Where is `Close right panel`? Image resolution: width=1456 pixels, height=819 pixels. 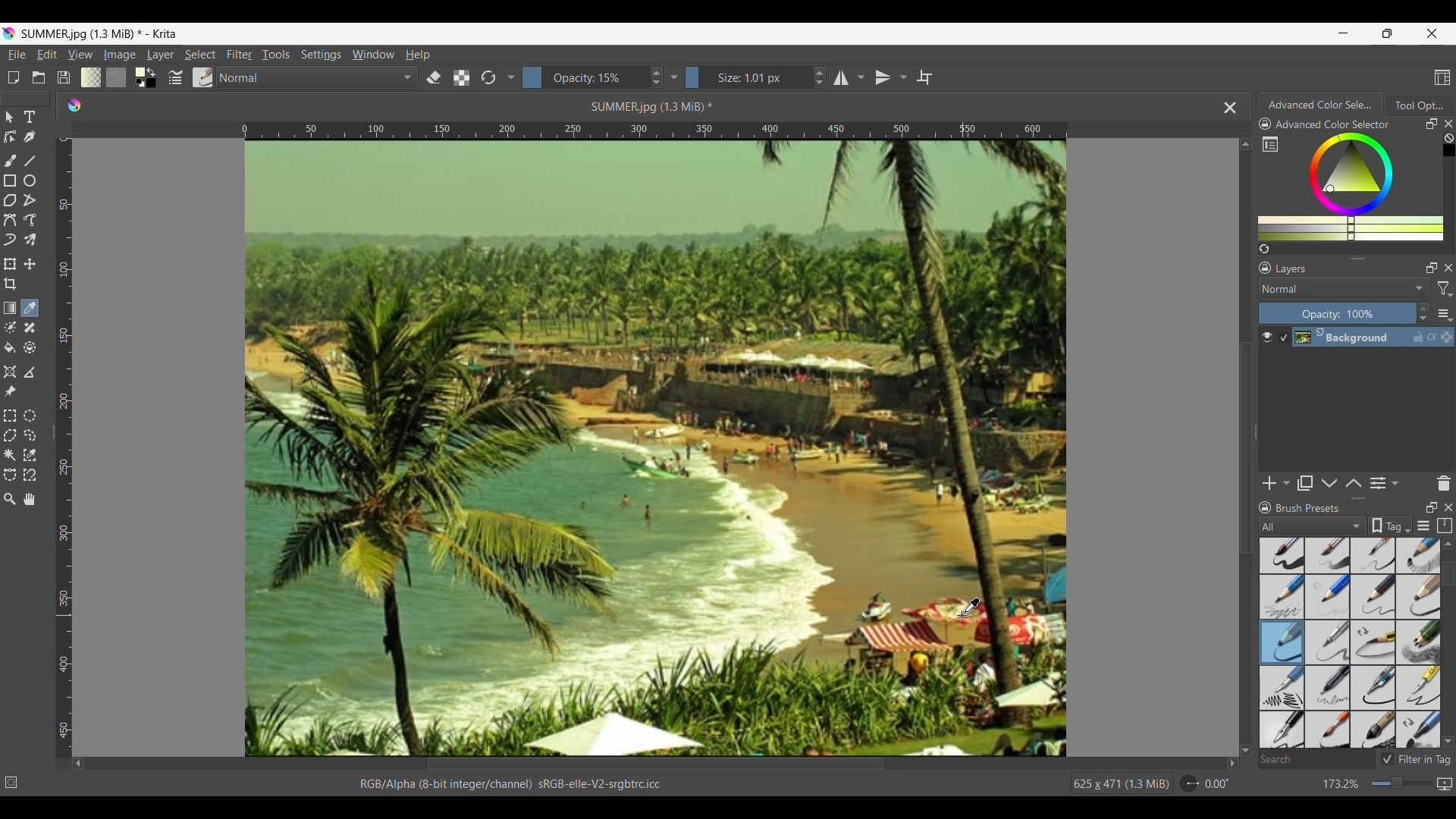 Close right panel is located at coordinates (1448, 124).